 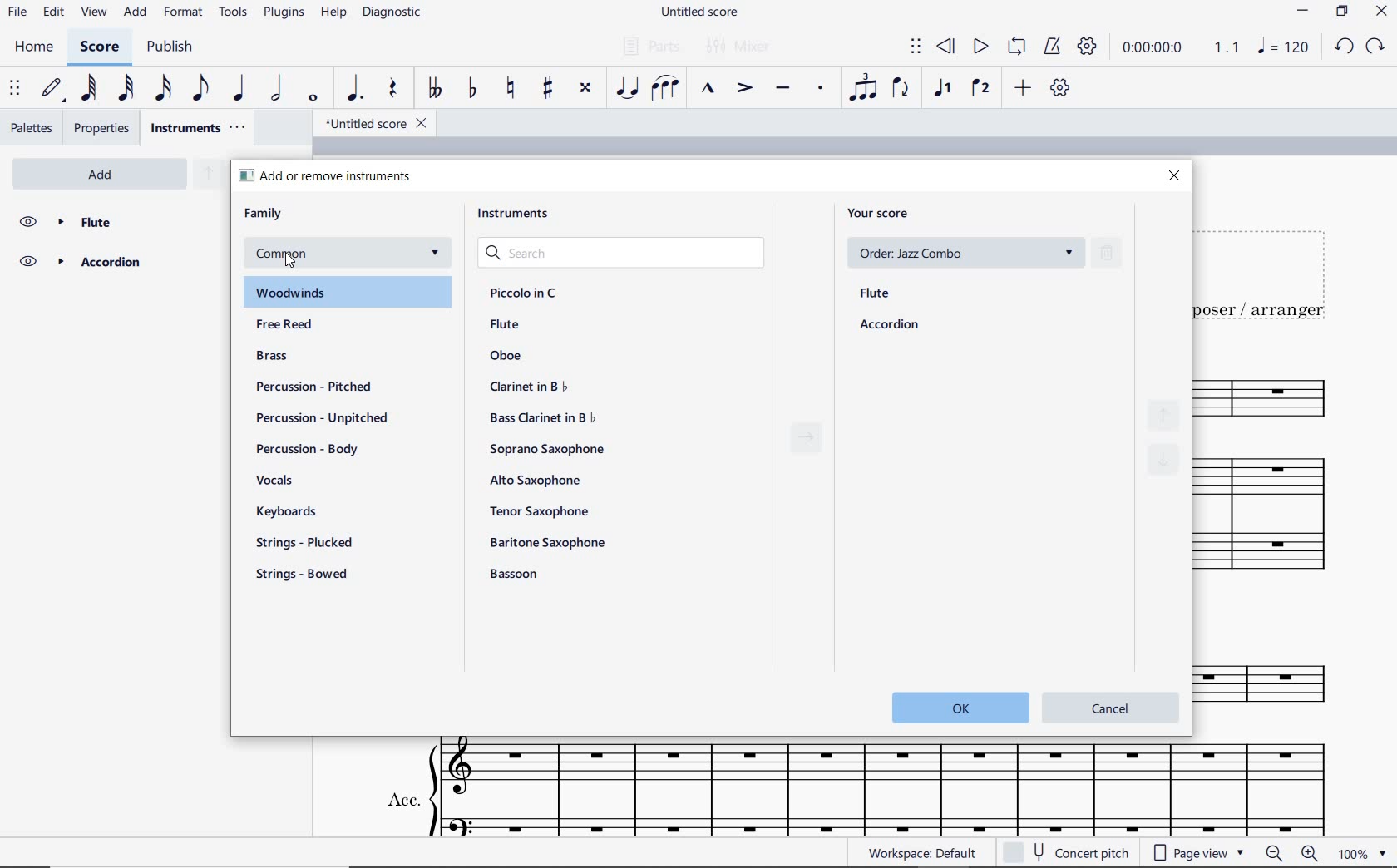 What do you see at coordinates (782, 89) in the screenshot?
I see `tenuto` at bounding box center [782, 89].